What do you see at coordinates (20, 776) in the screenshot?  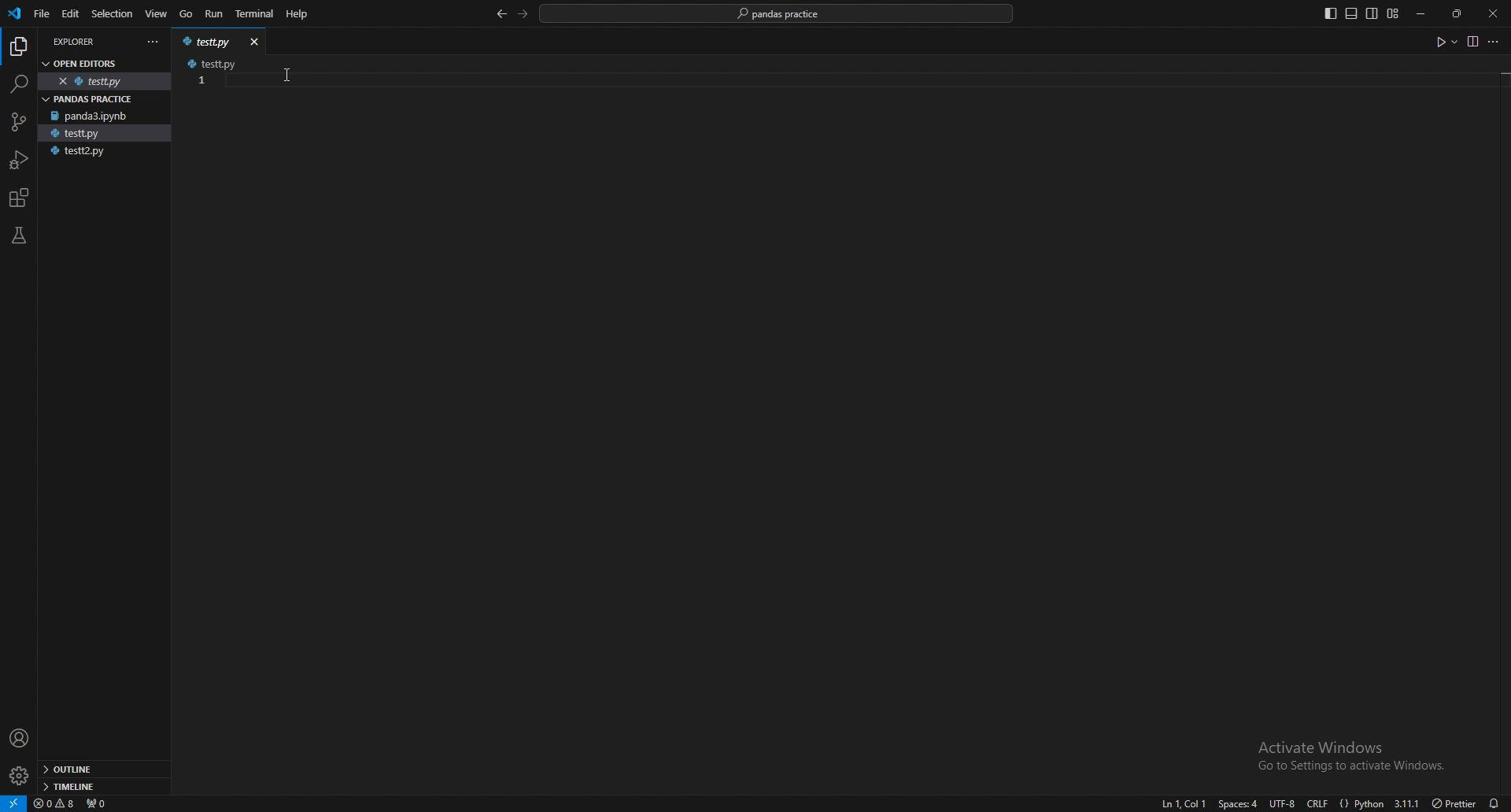 I see `settings` at bounding box center [20, 776].